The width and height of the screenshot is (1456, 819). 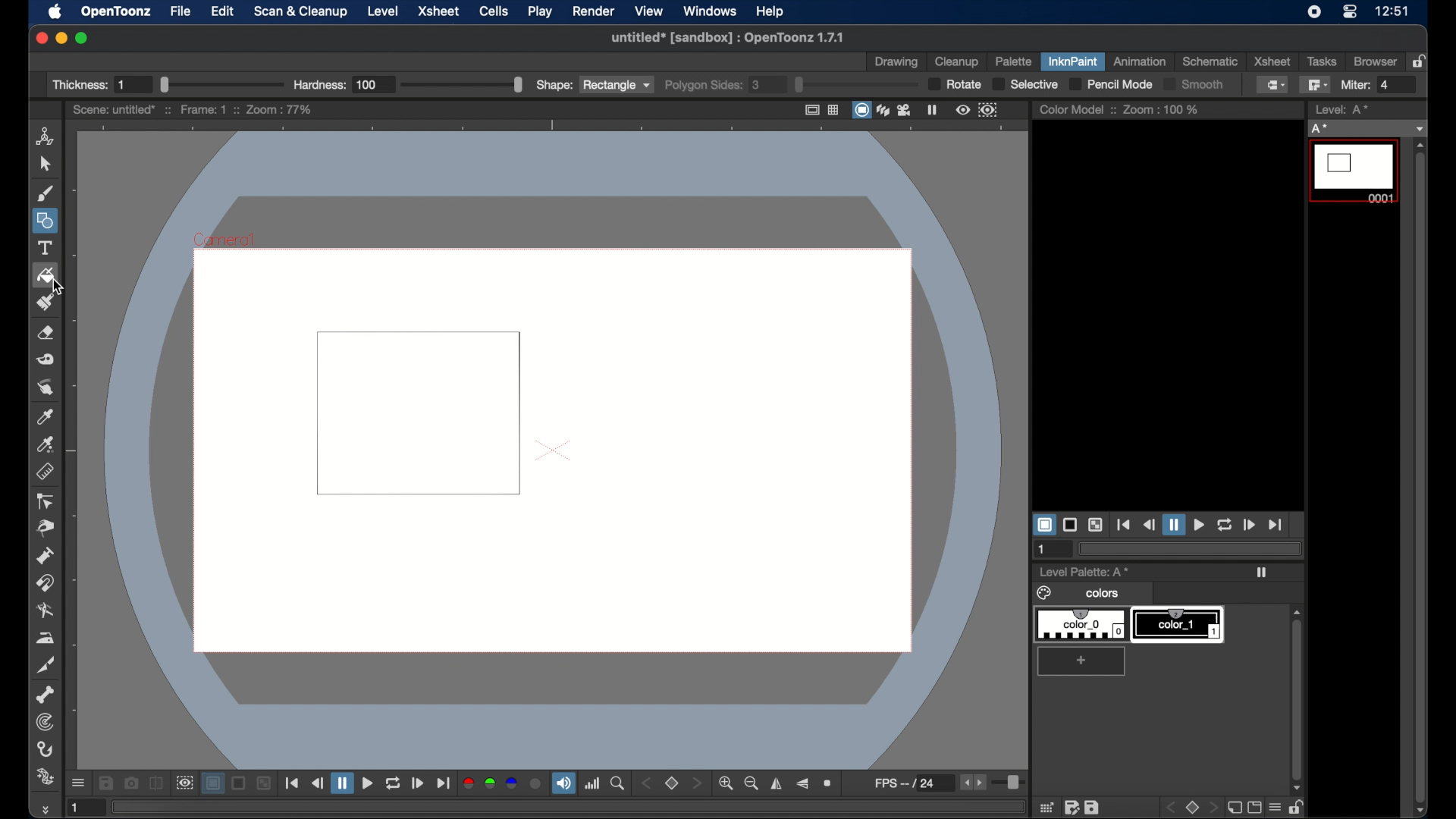 I want to click on red channel, so click(x=468, y=783).